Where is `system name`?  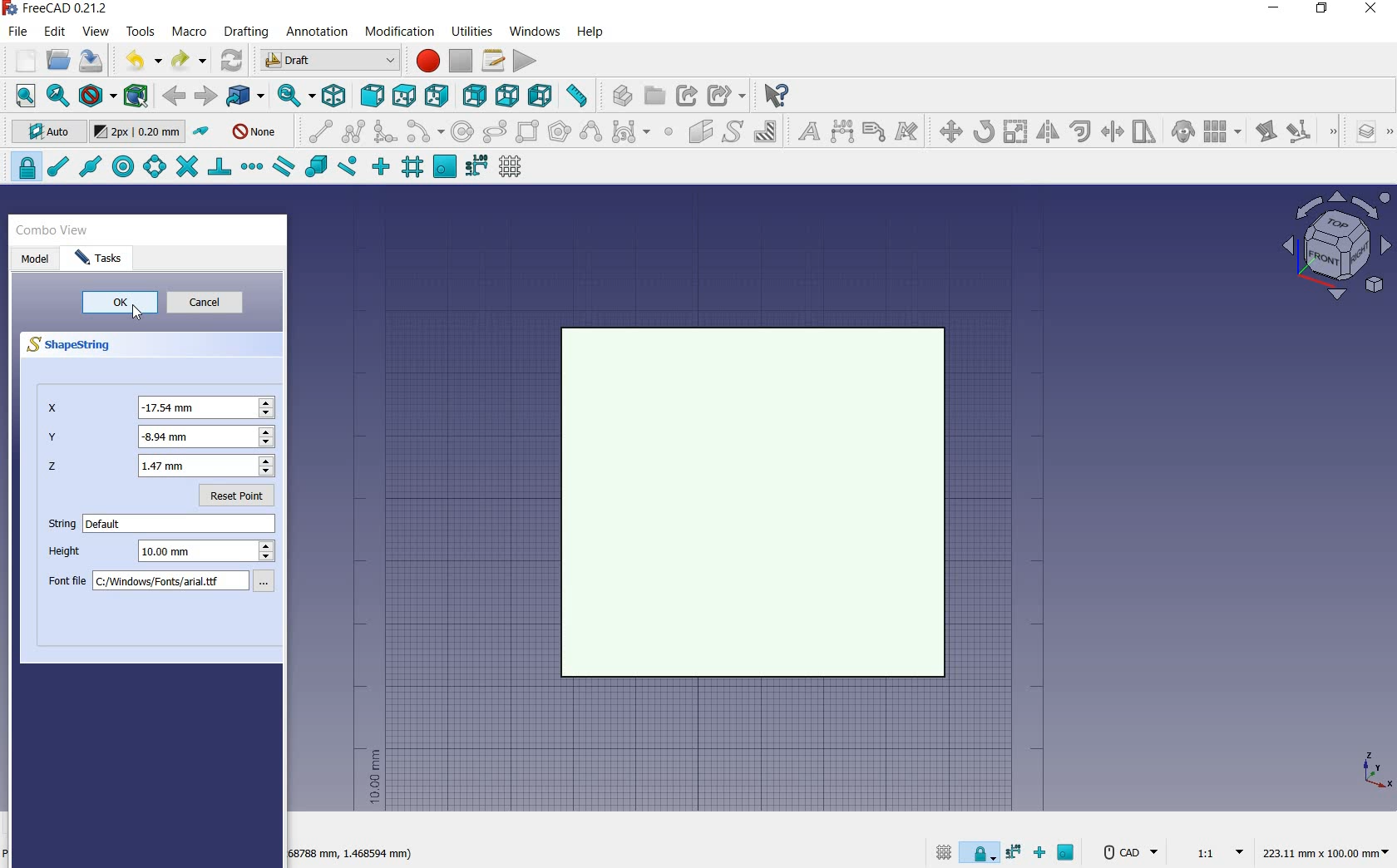
system name is located at coordinates (60, 8).